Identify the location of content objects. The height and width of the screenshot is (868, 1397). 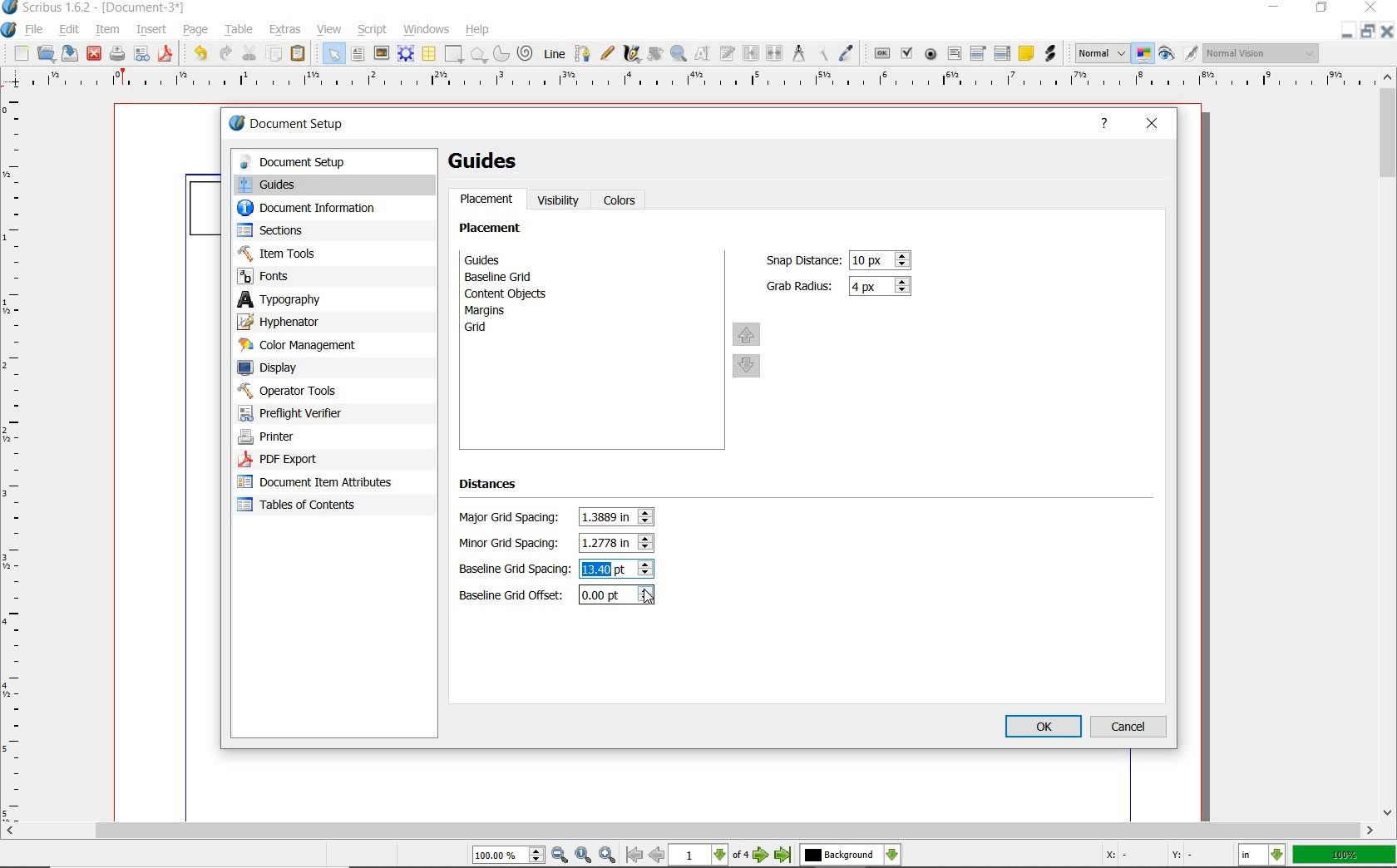
(515, 293).